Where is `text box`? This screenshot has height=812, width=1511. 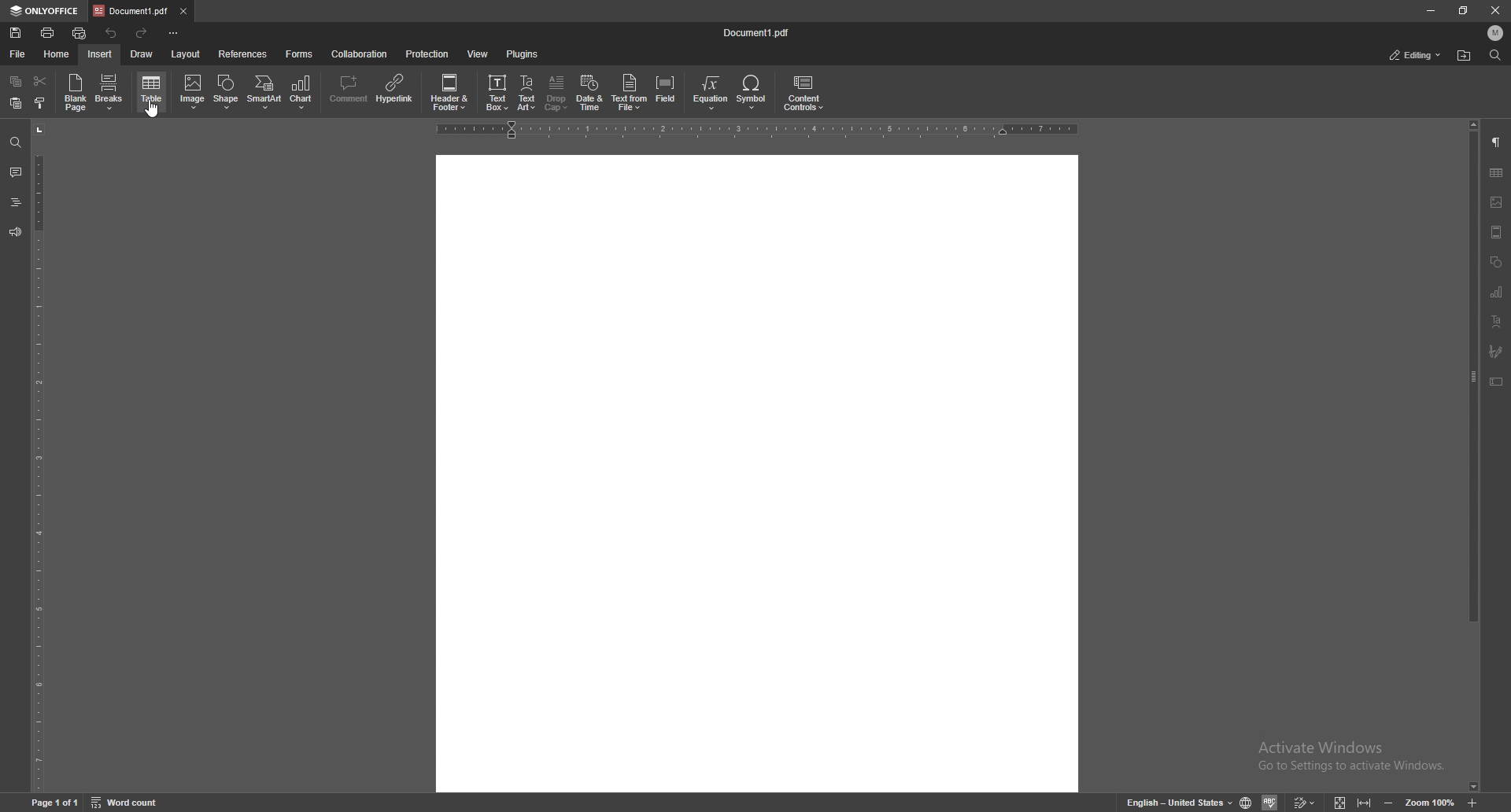
text box is located at coordinates (496, 94).